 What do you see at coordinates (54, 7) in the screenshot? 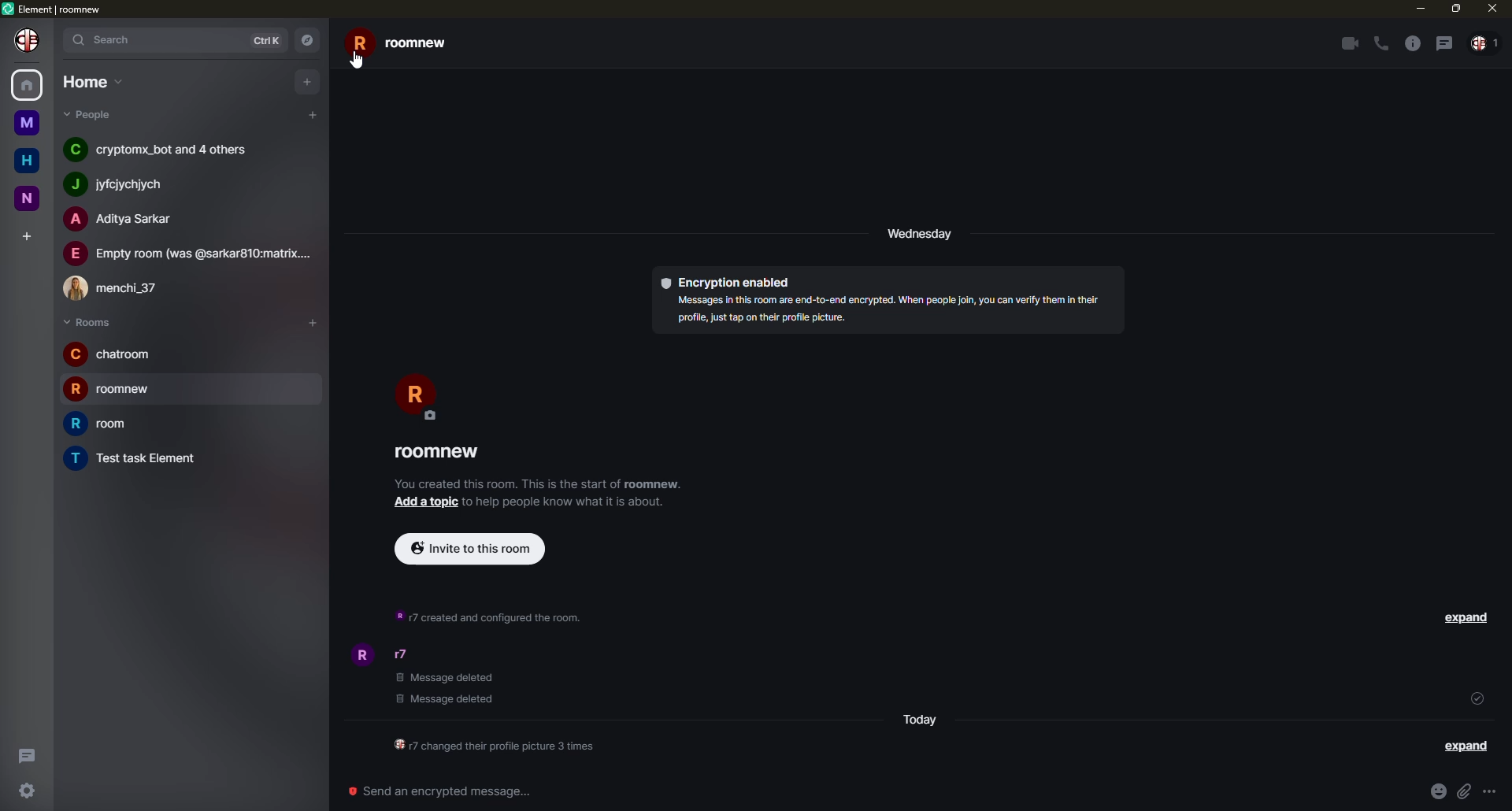
I see `element` at bounding box center [54, 7].